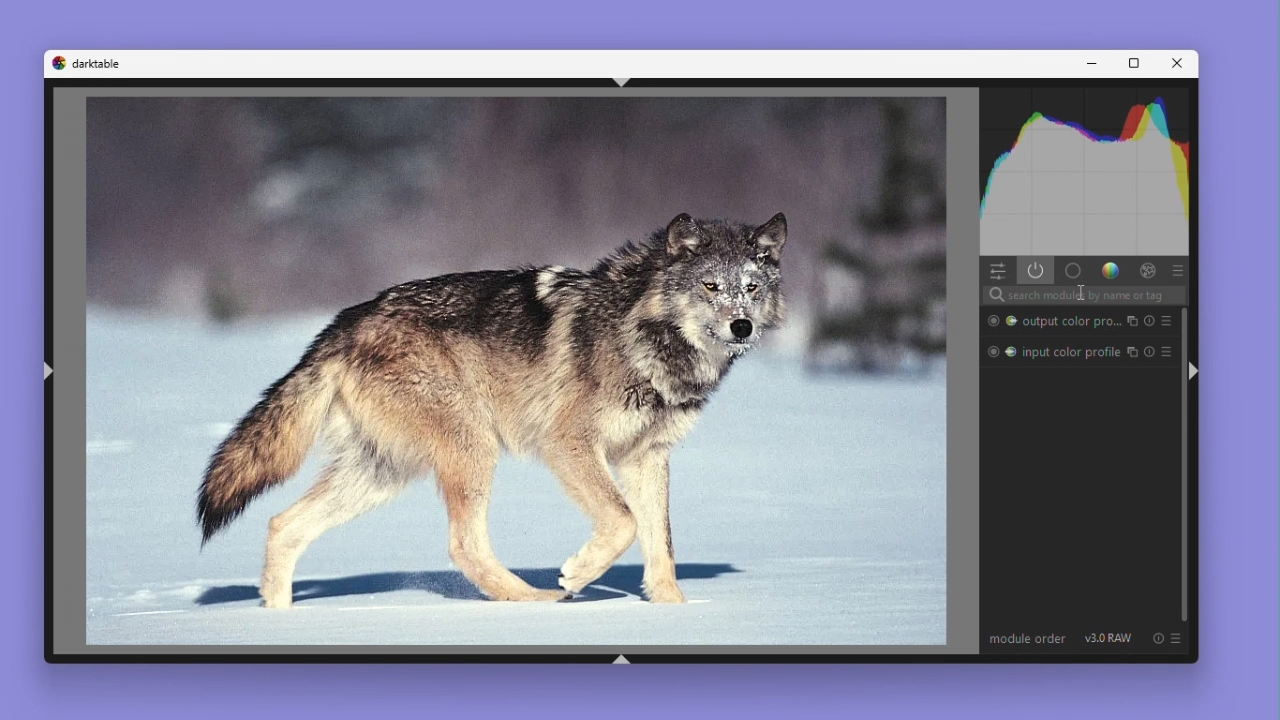 The image size is (1280, 720). Describe the element at coordinates (1148, 321) in the screenshot. I see `reset` at that location.